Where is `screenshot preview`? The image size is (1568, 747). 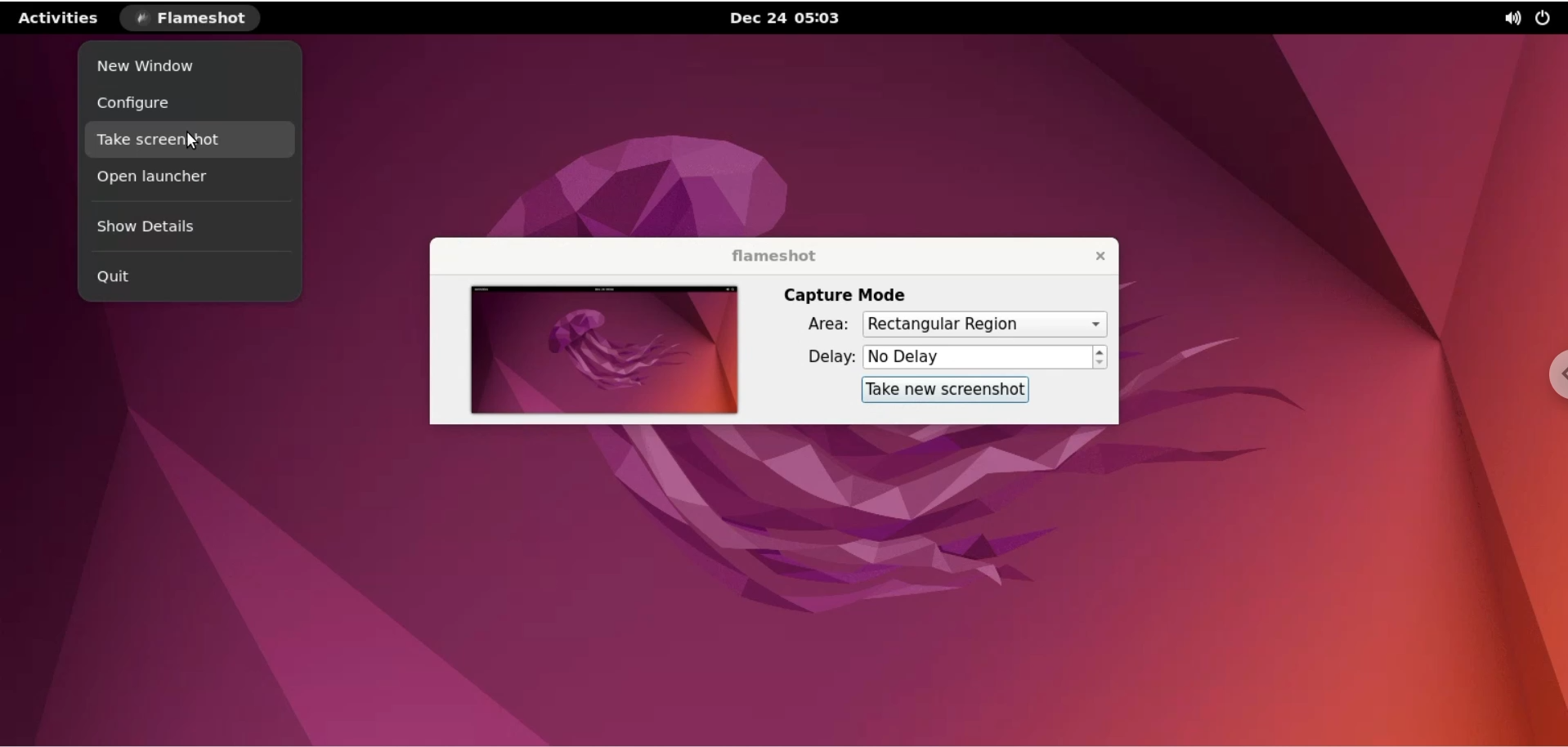
screenshot preview is located at coordinates (595, 349).